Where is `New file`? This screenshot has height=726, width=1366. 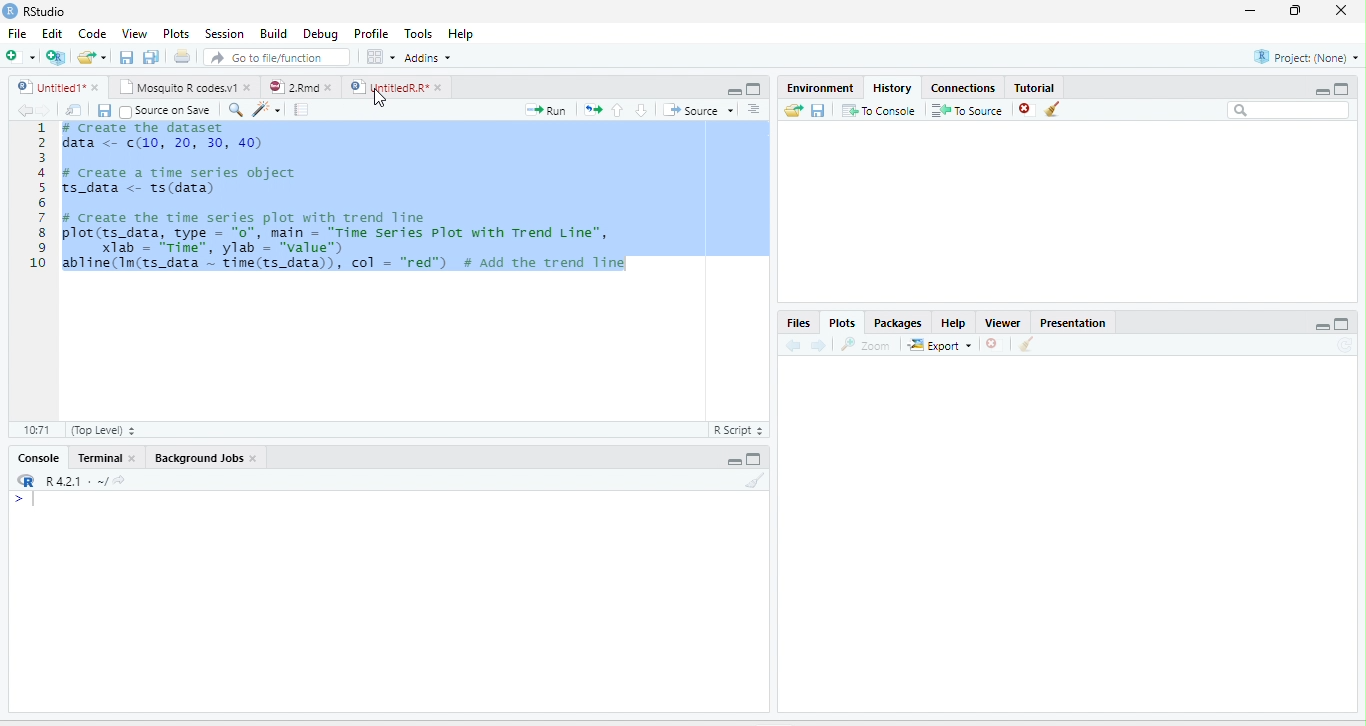 New file is located at coordinates (19, 56).